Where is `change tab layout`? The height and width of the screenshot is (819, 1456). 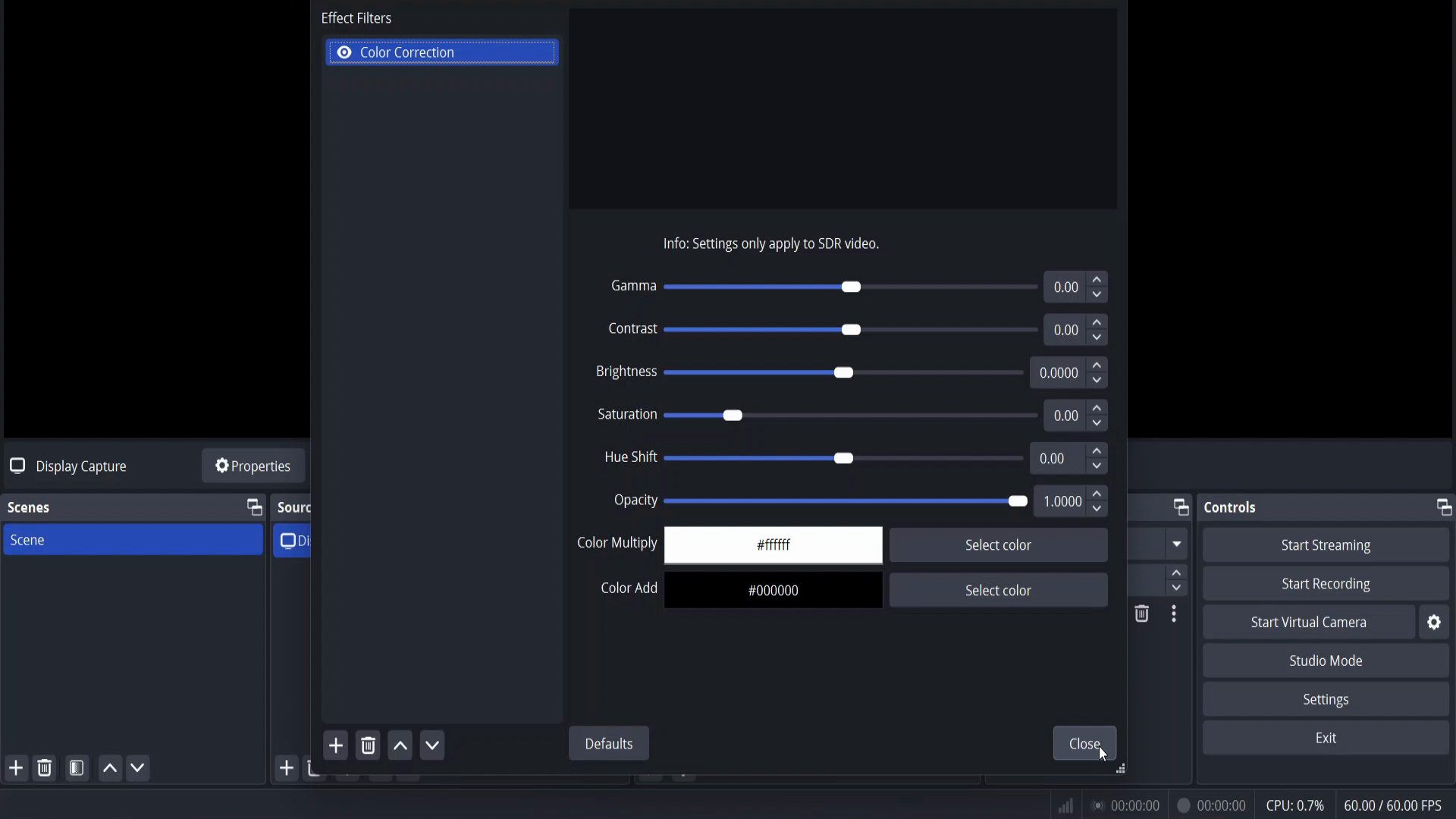 change tab layout is located at coordinates (1179, 508).